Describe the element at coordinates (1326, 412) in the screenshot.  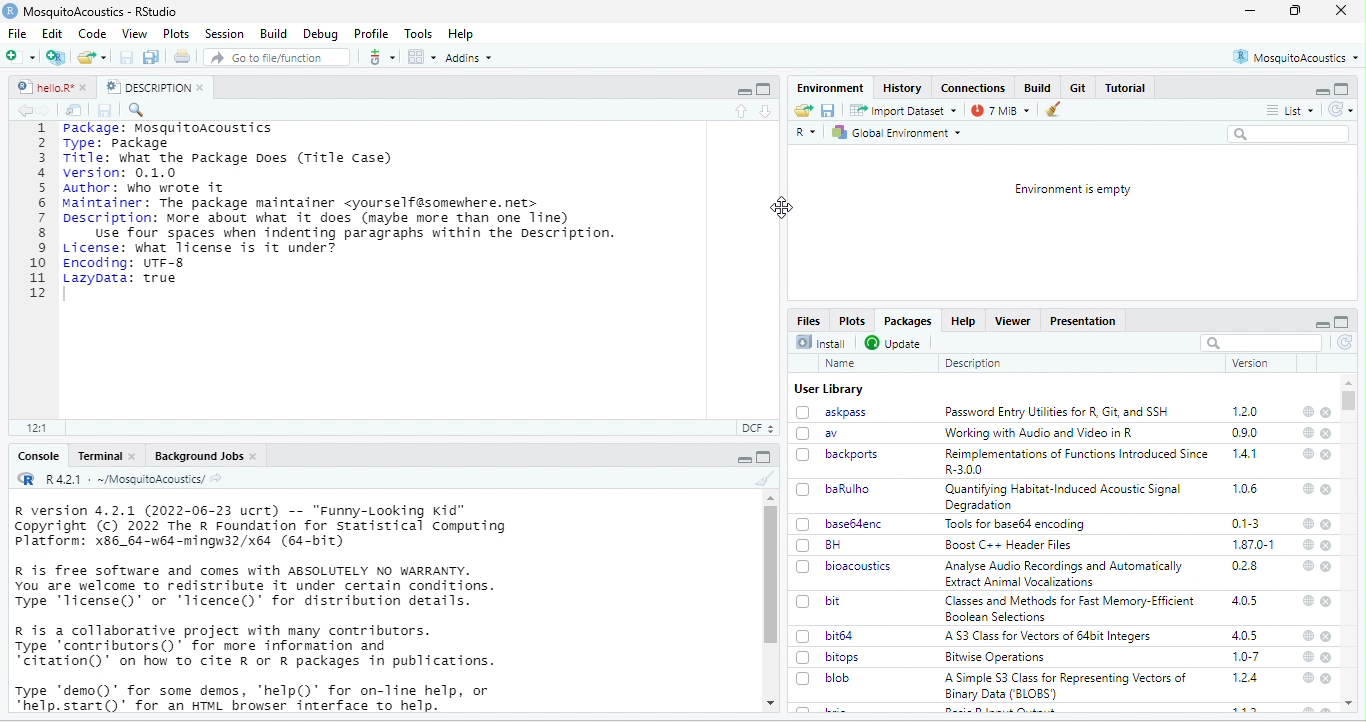
I see `close` at that location.